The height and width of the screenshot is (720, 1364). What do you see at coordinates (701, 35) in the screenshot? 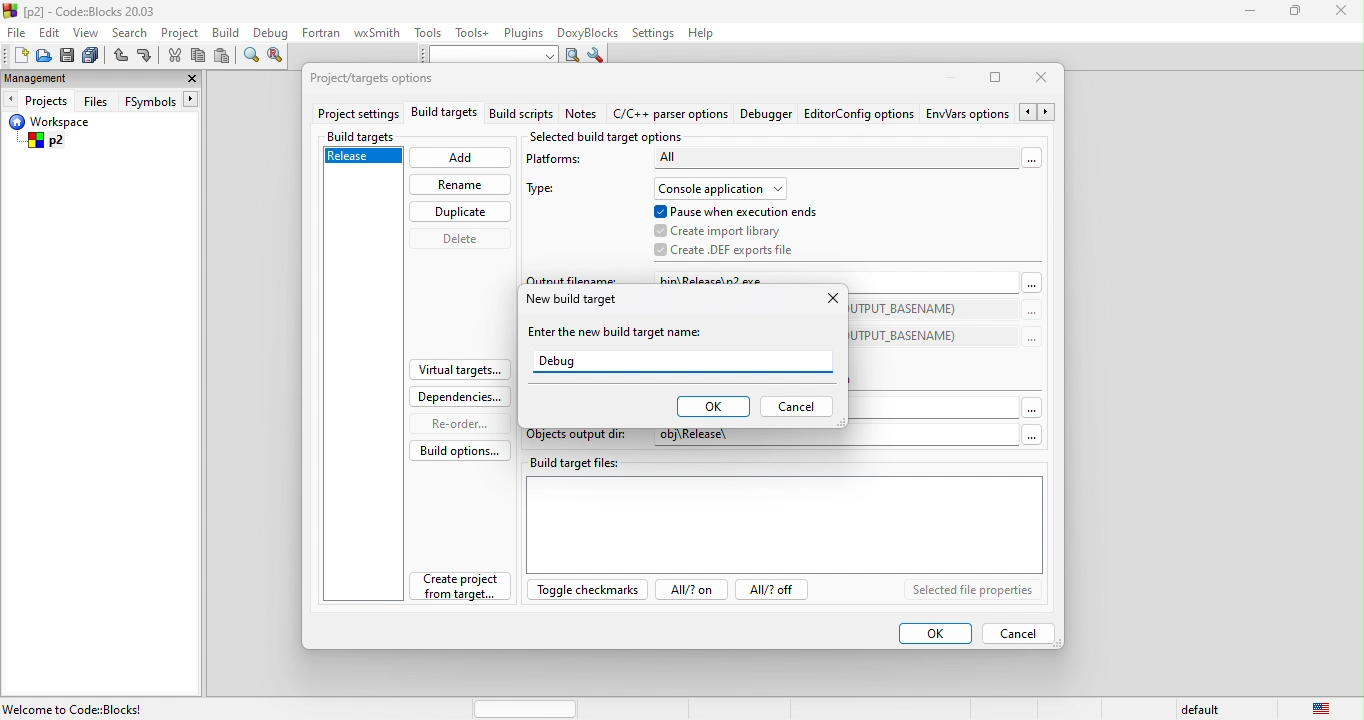
I see `help` at bounding box center [701, 35].